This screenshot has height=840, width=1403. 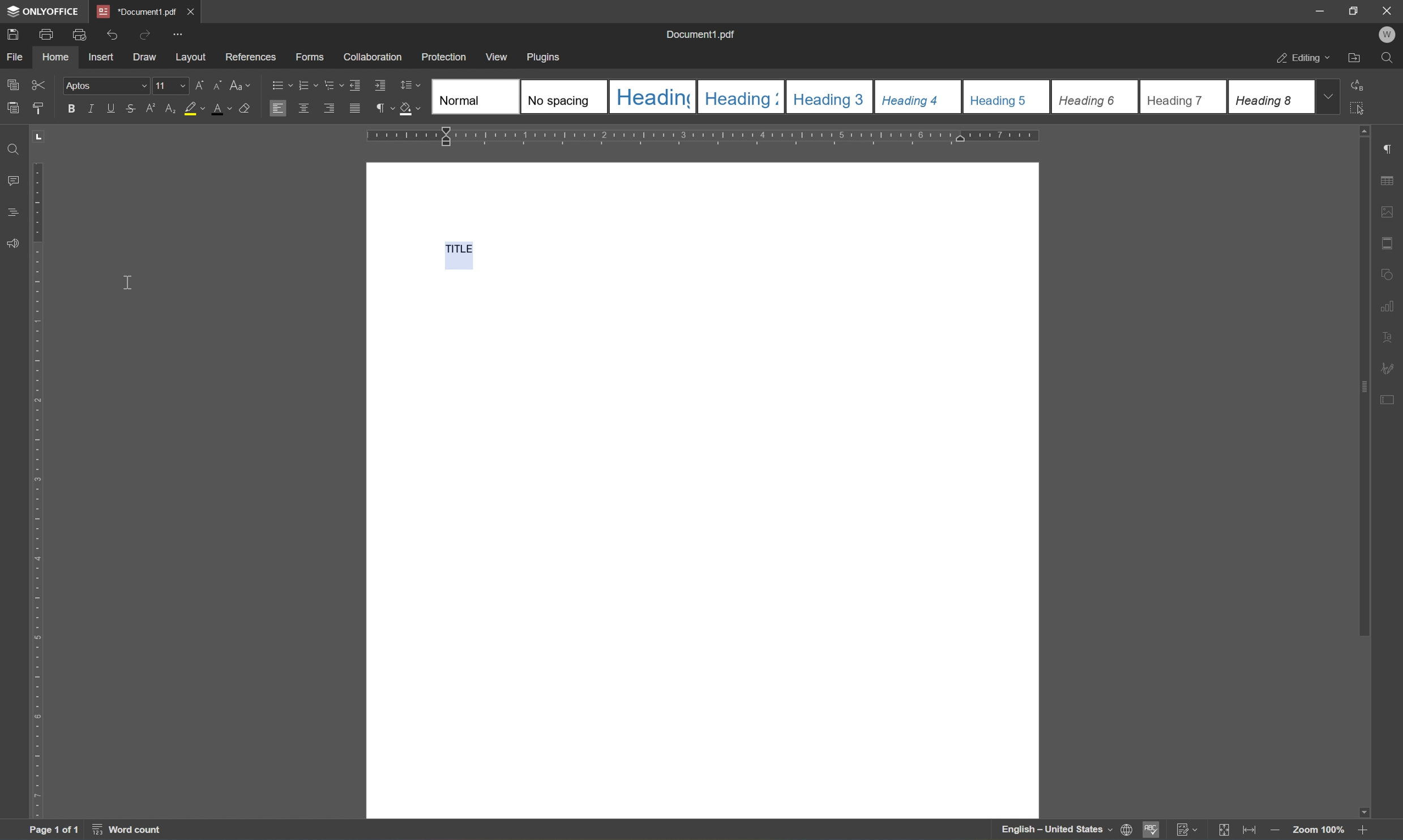 I want to click on numbering, so click(x=308, y=85).